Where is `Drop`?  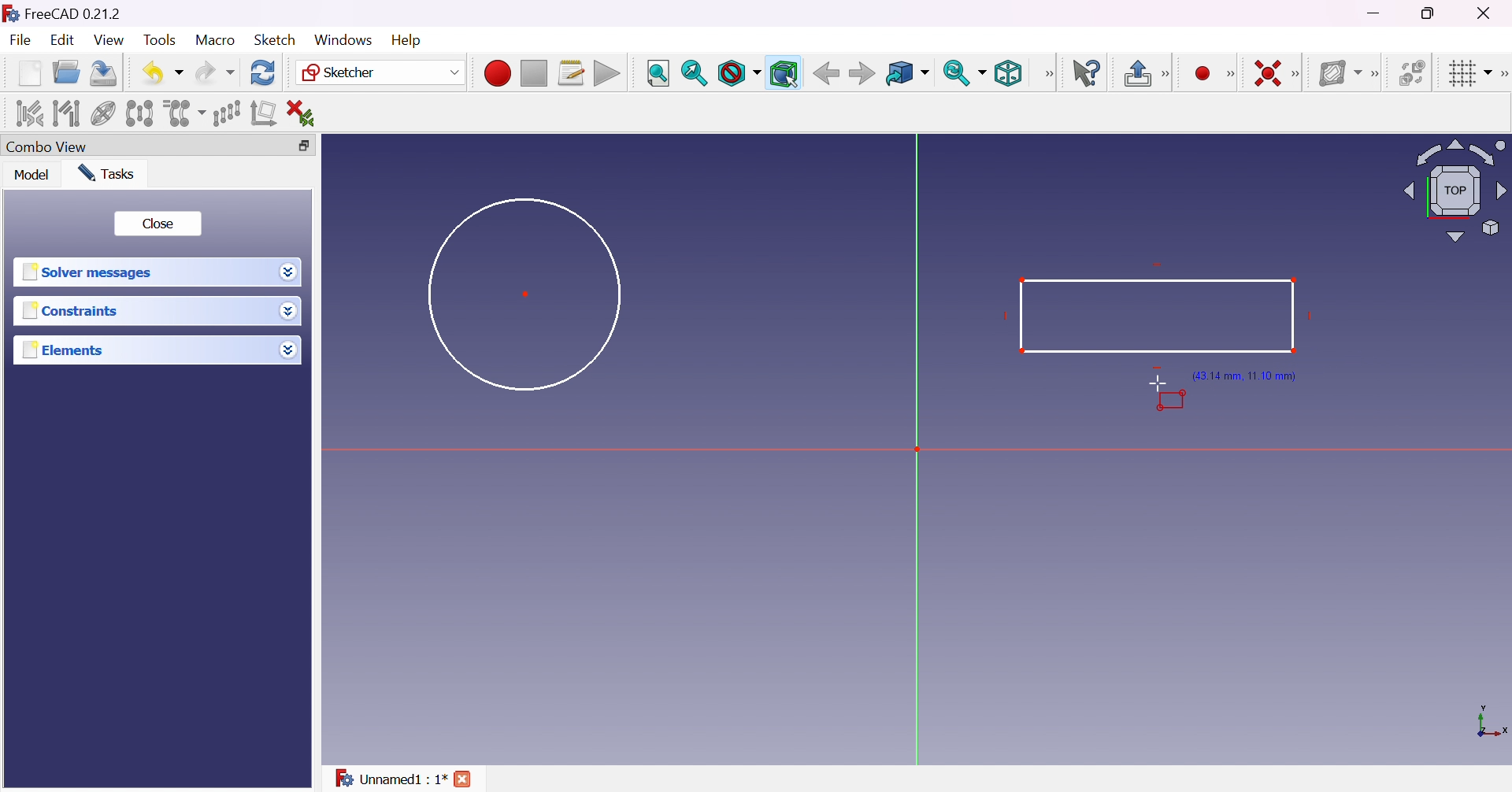 Drop is located at coordinates (291, 313).